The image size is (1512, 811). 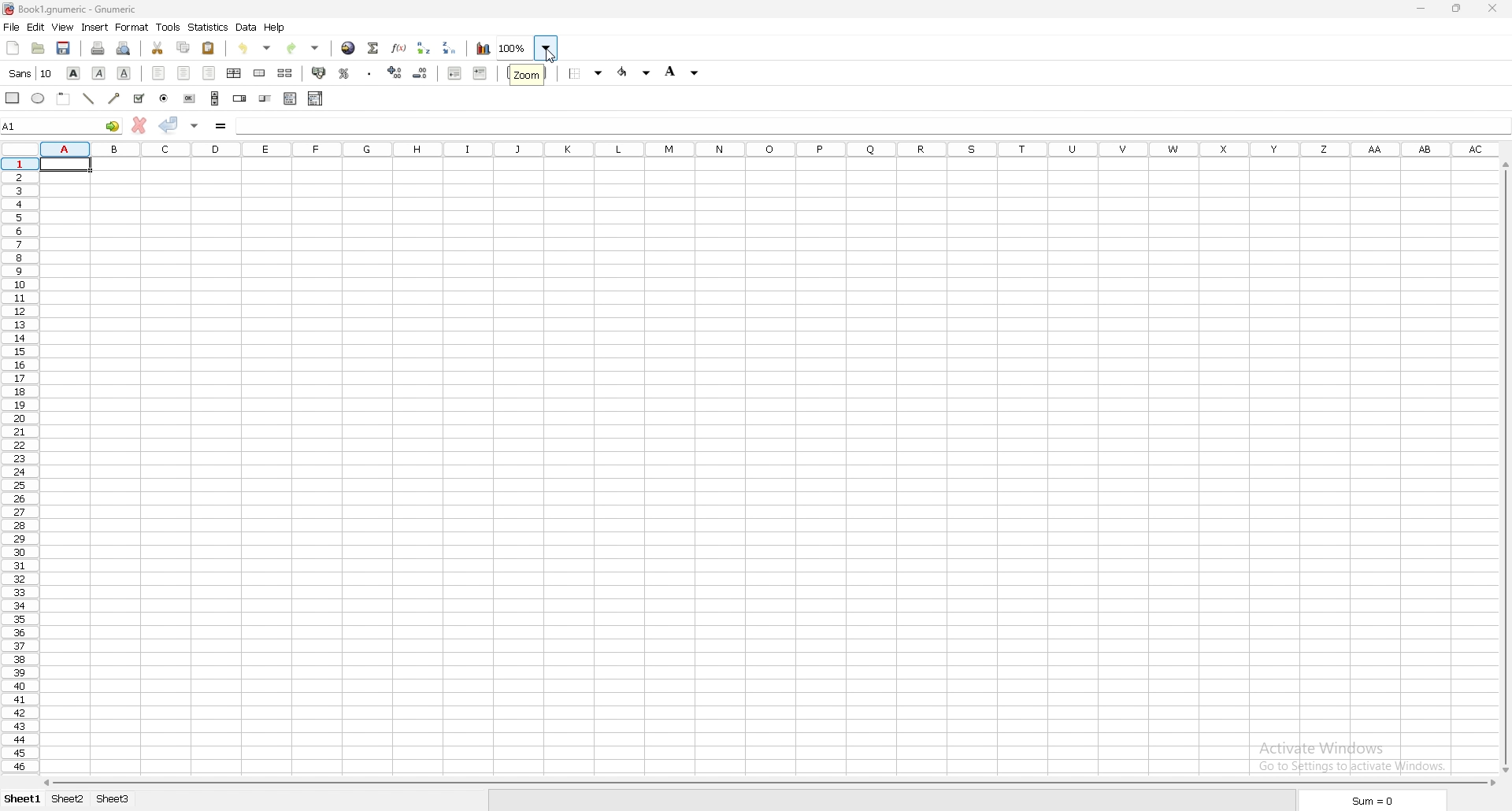 What do you see at coordinates (1421, 9) in the screenshot?
I see `minimize` at bounding box center [1421, 9].